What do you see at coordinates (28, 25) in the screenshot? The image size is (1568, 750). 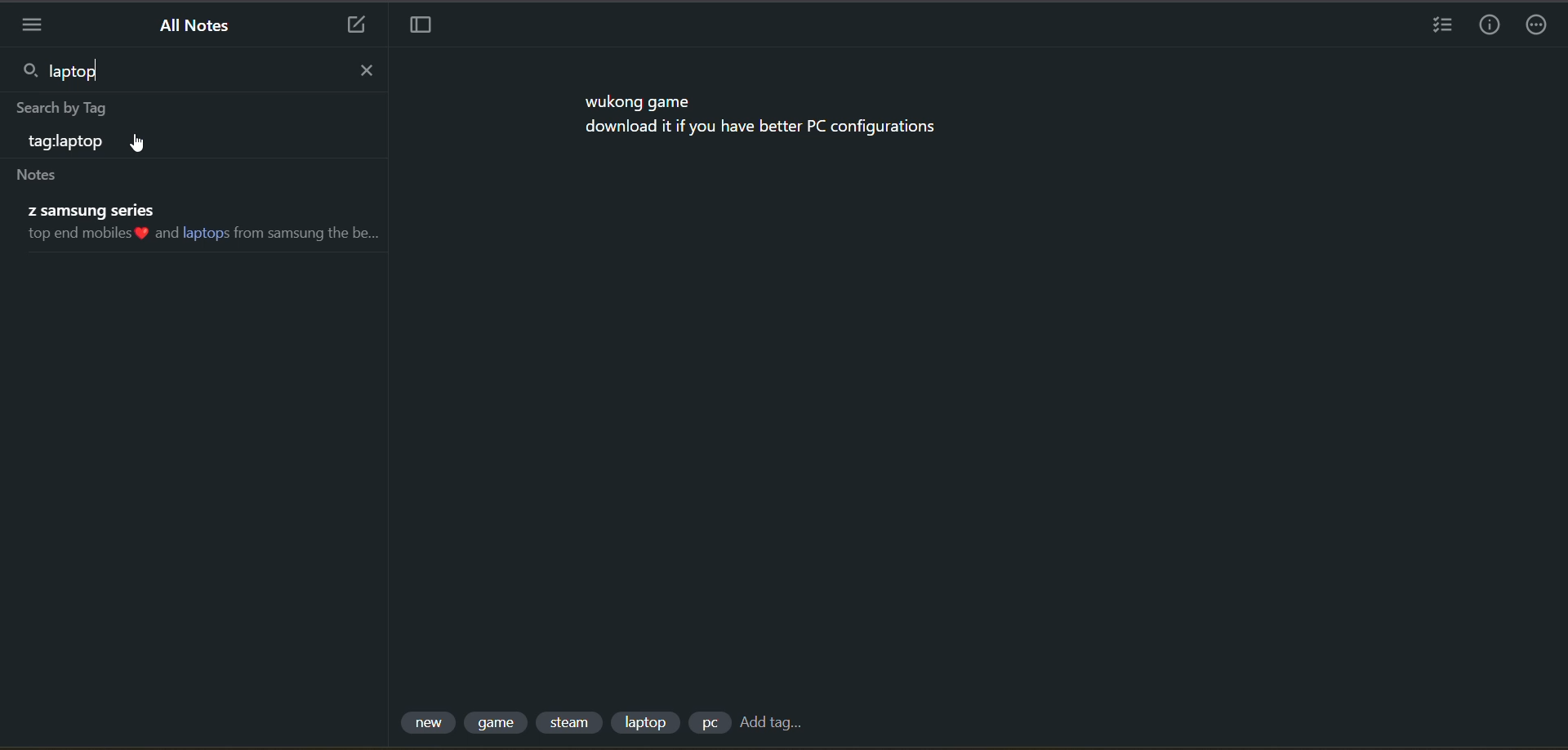 I see `menu` at bounding box center [28, 25].